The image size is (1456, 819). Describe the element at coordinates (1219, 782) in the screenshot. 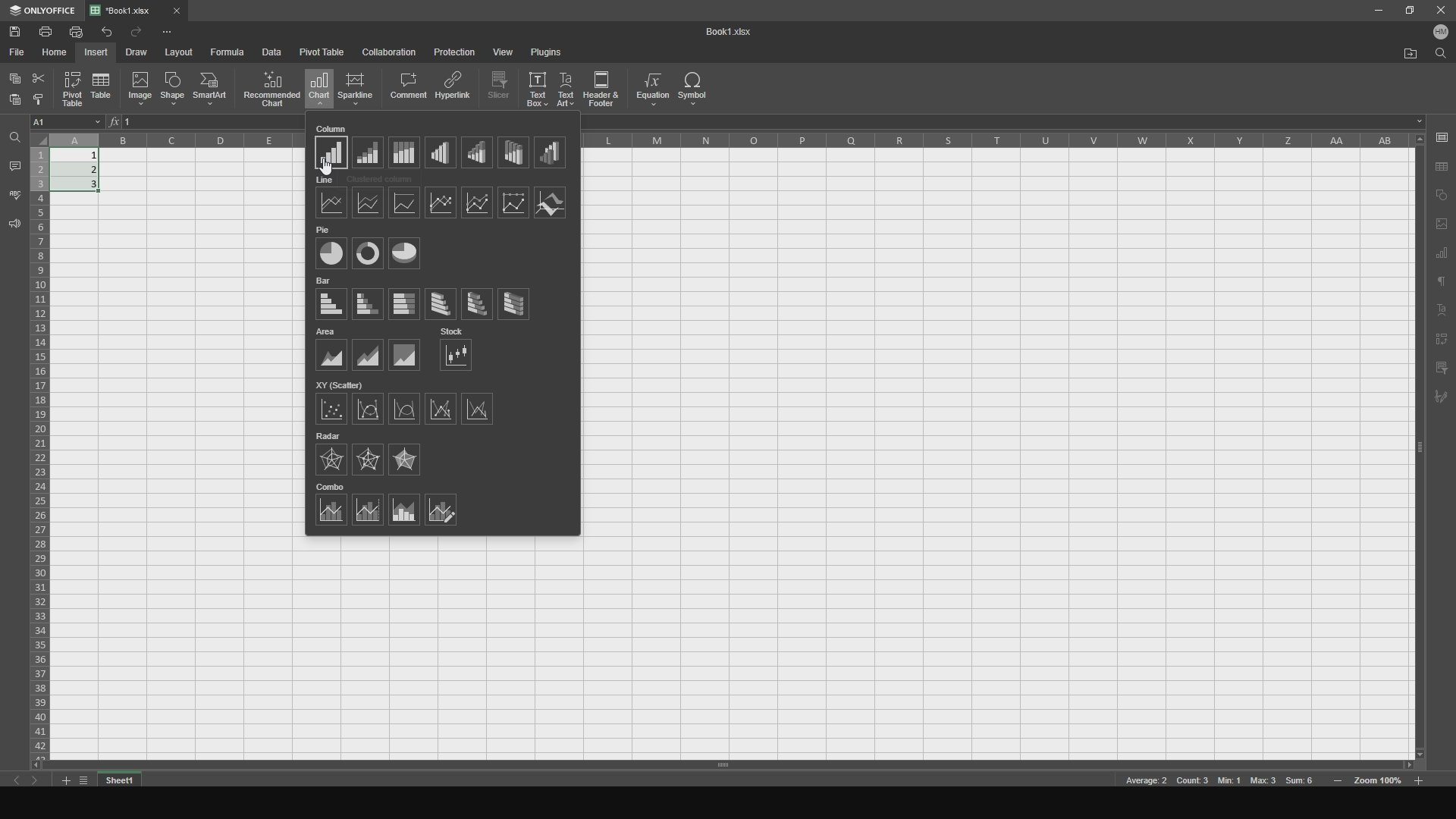

I see `meta data` at that location.